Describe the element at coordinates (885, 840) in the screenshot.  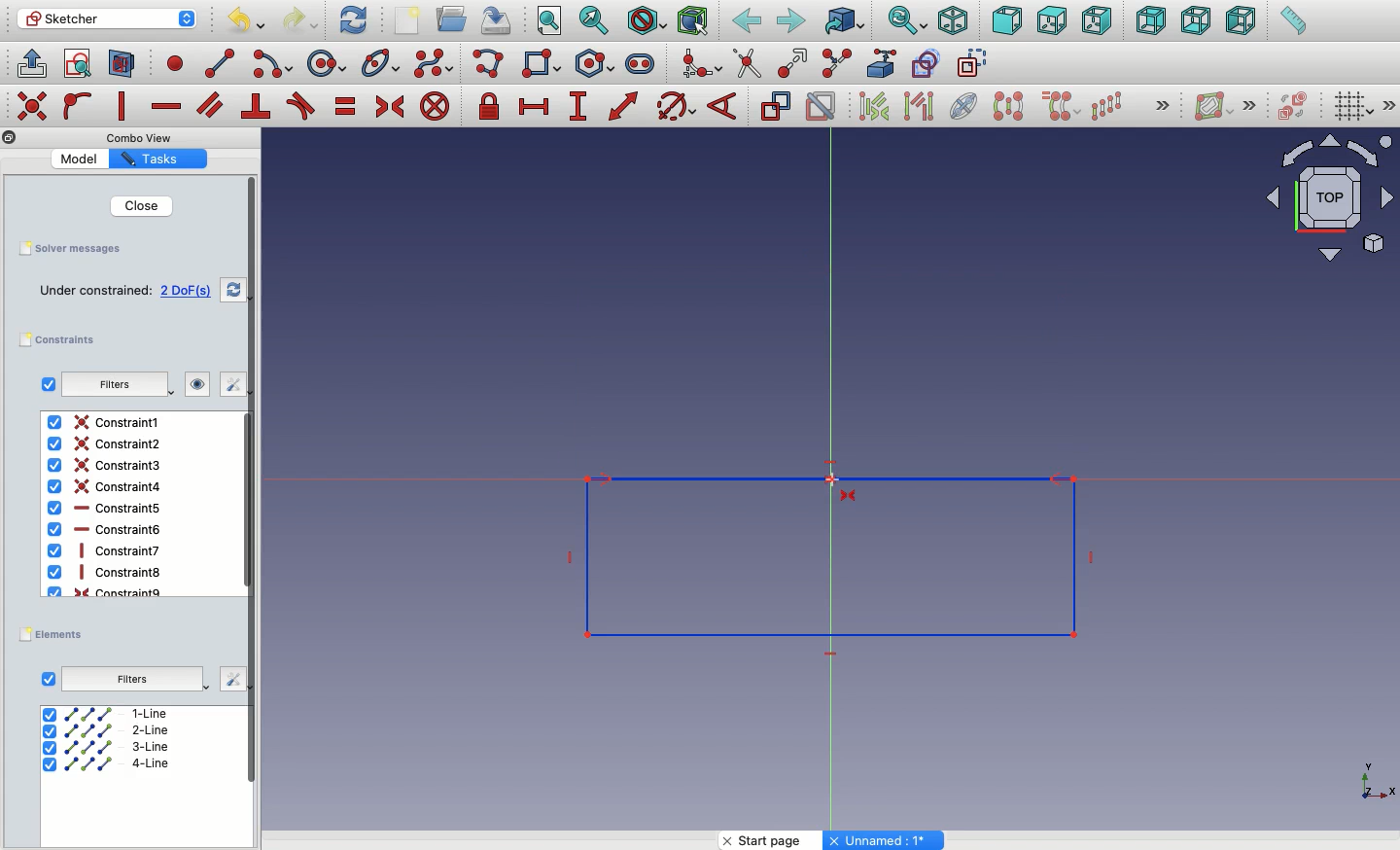
I see `Unnamed: 1` at that location.